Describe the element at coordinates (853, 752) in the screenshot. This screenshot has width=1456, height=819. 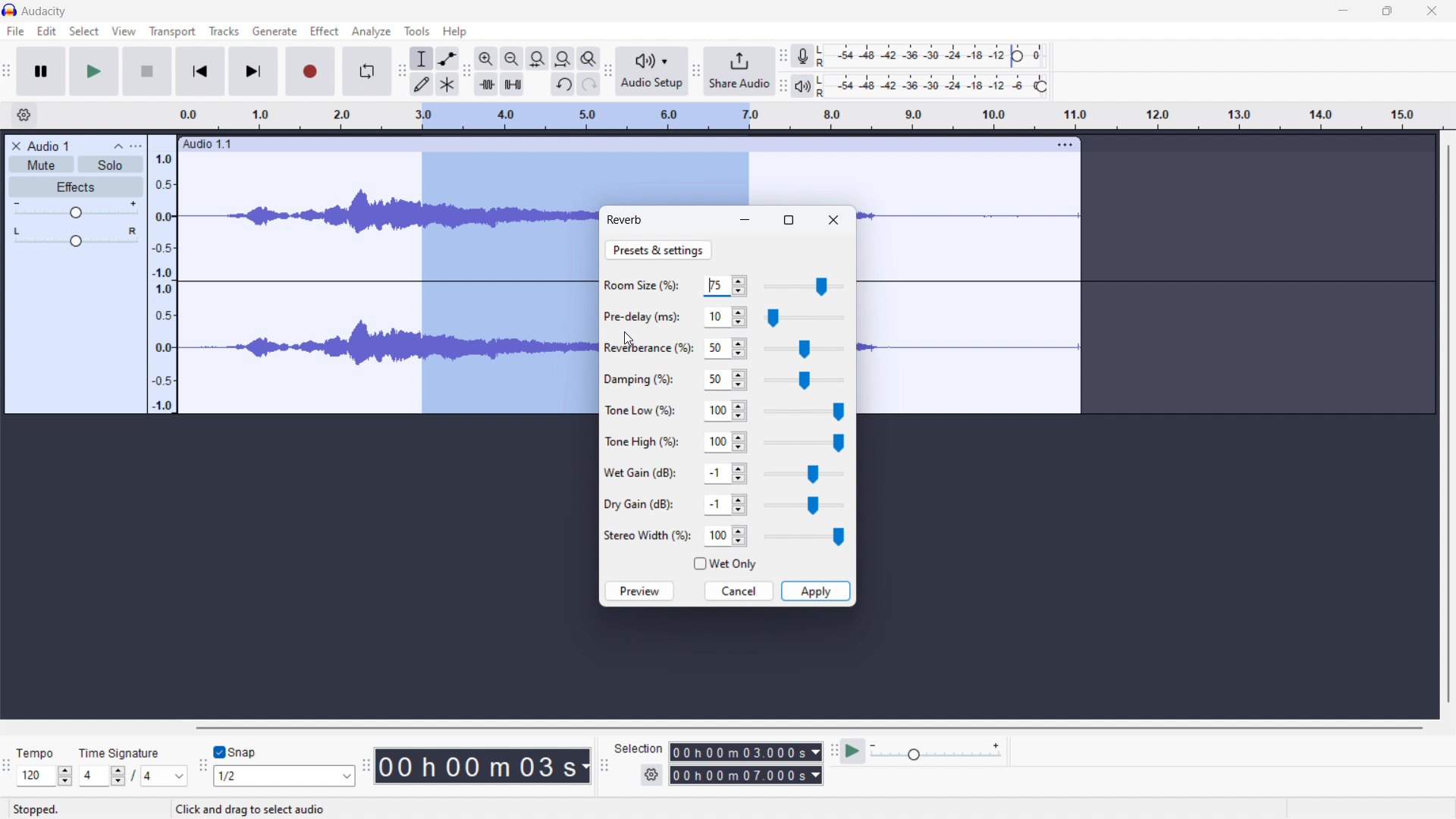
I see `play at speed` at that location.